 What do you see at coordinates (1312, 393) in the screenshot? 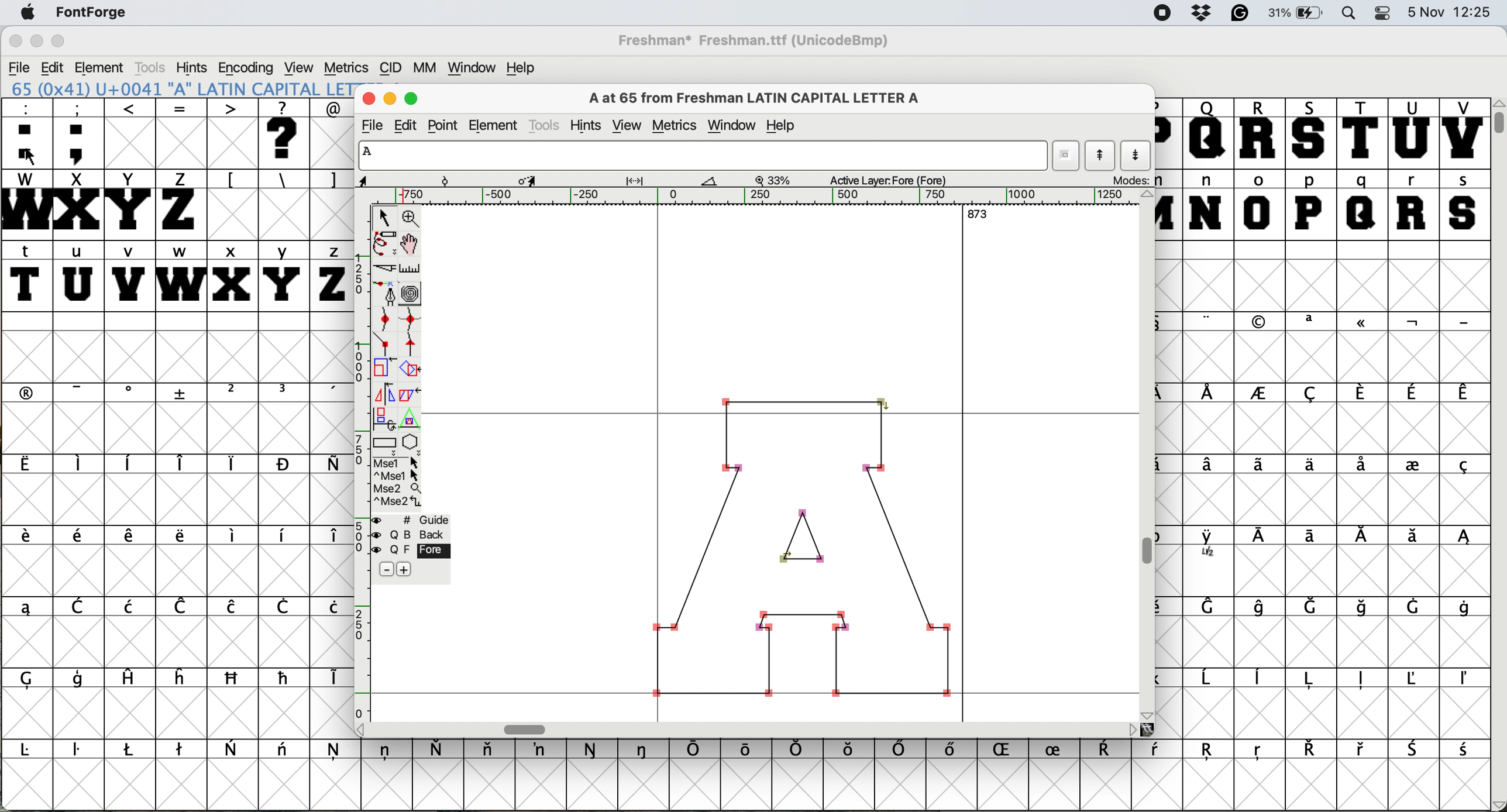
I see `symbol` at bounding box center [1312, 393].